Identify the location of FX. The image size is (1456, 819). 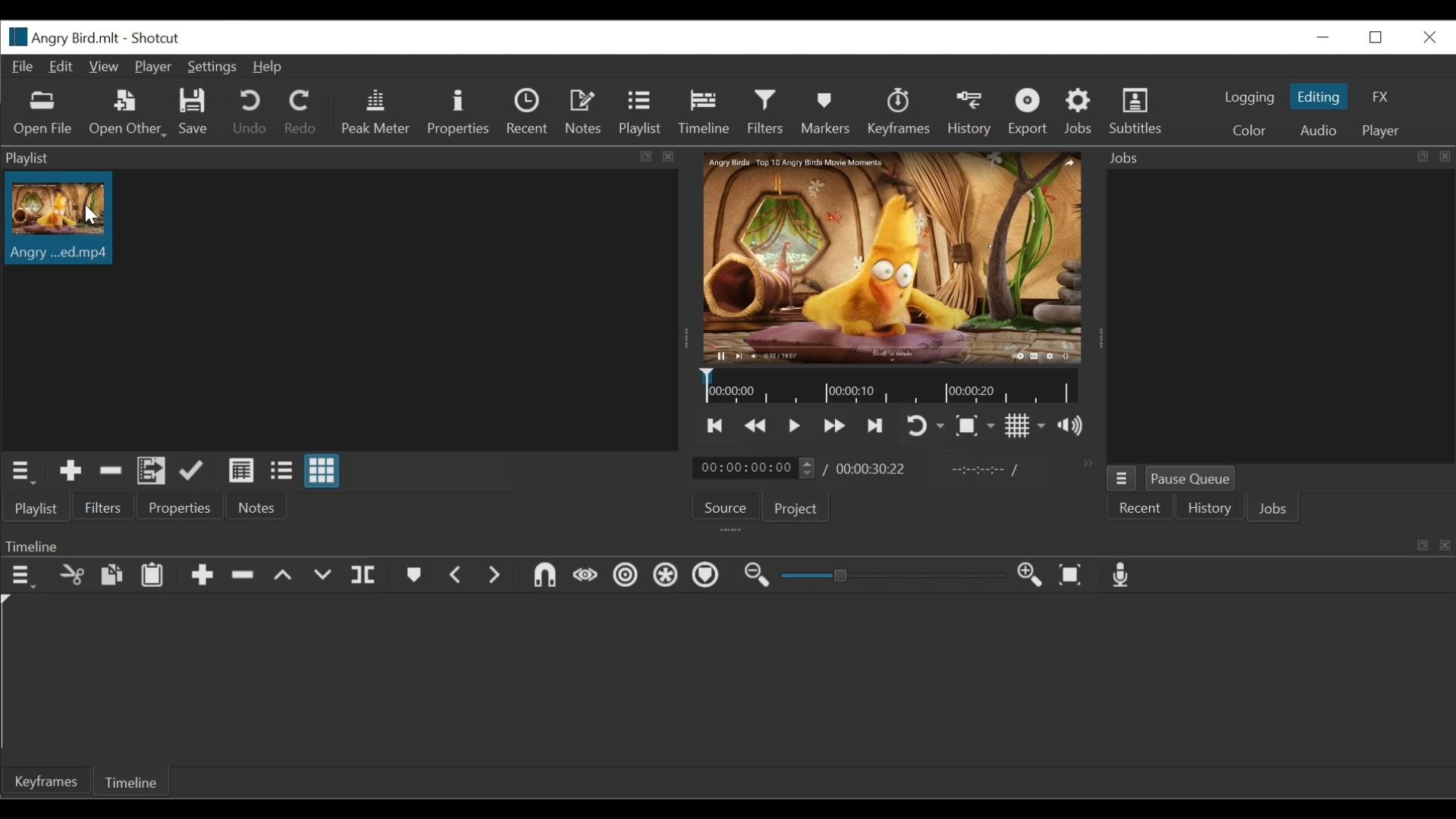
(1378, 96).